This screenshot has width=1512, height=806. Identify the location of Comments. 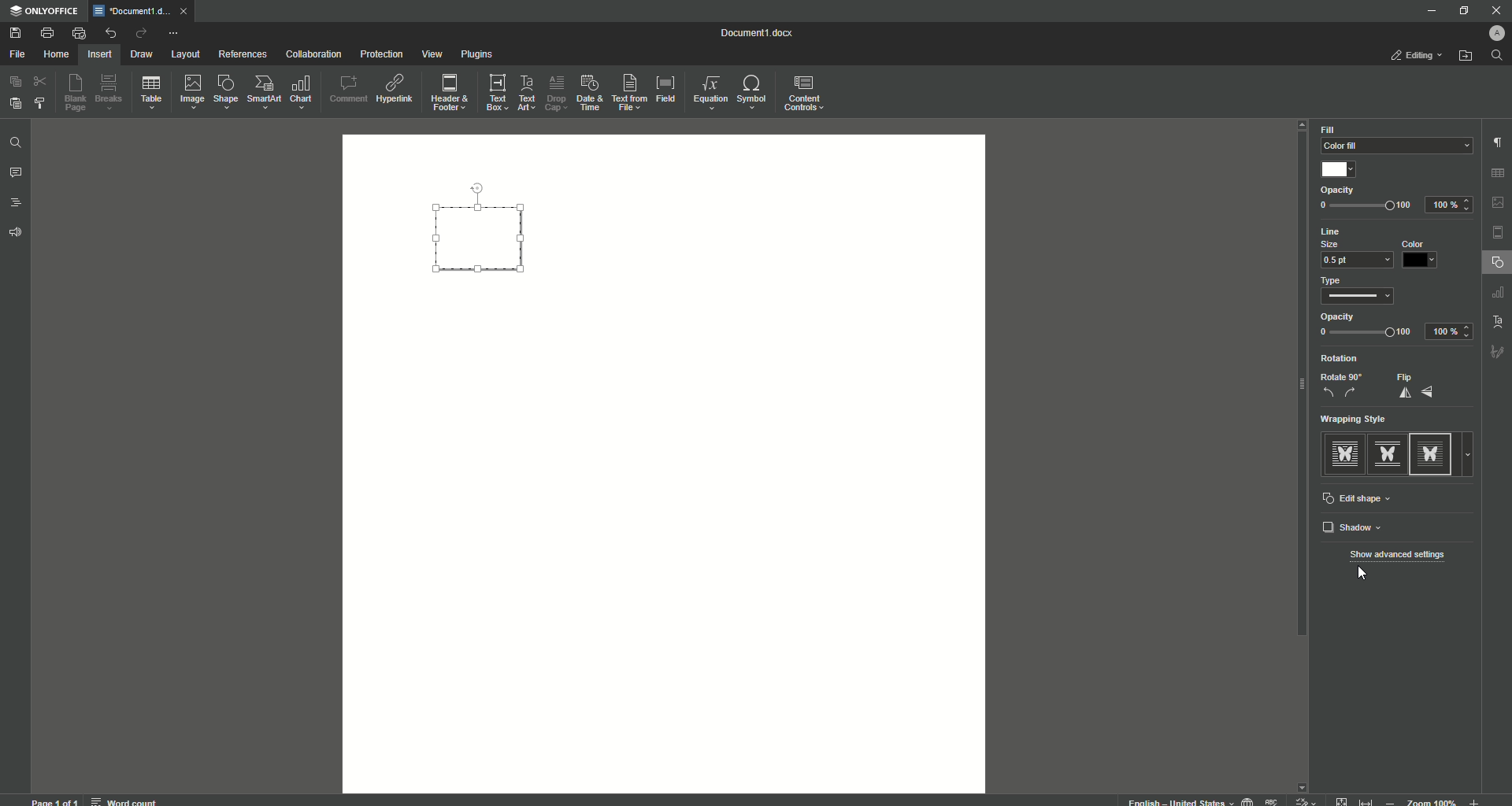
(16, 173).